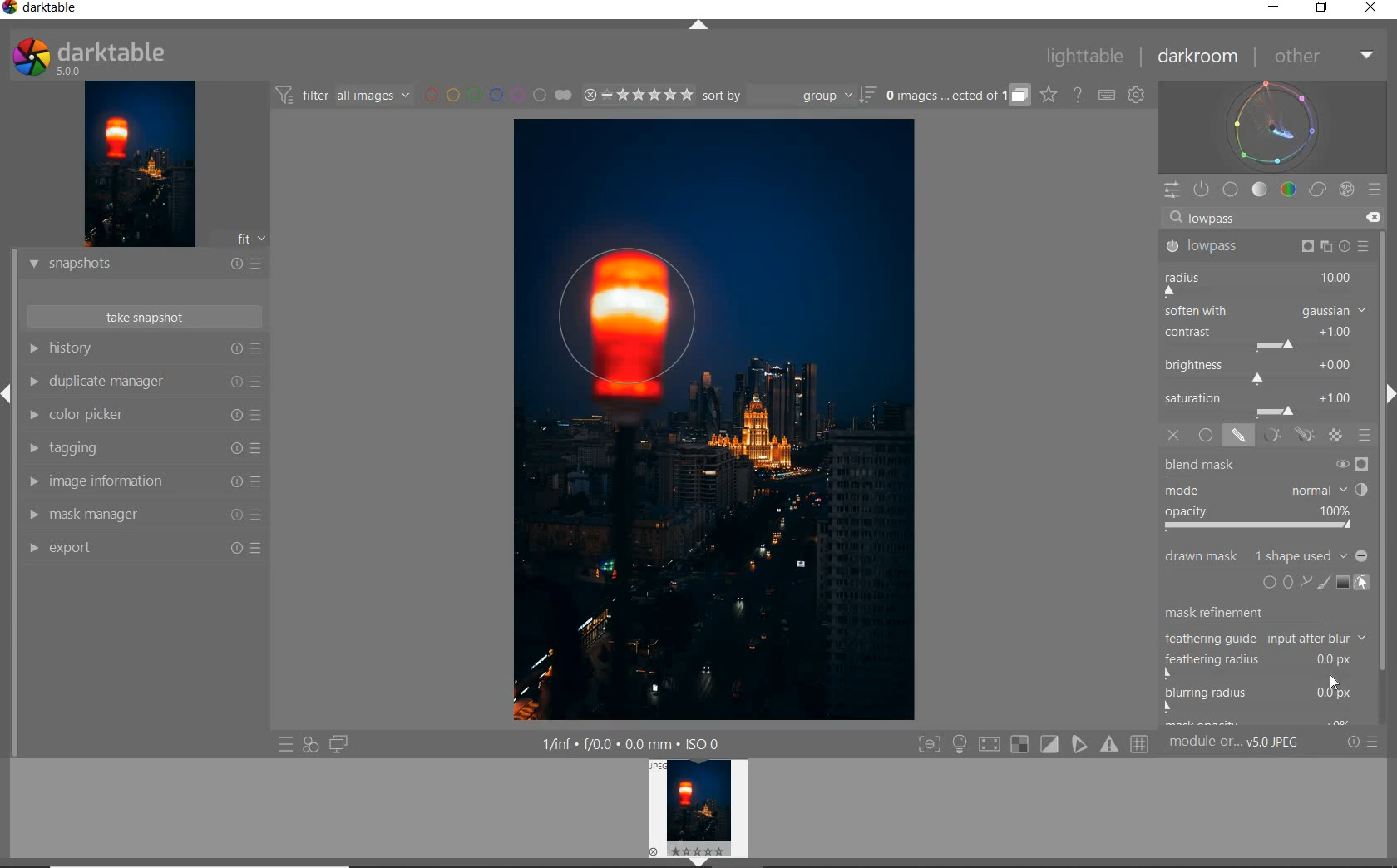  I want to click on CURSOR, so click(1335, 683).